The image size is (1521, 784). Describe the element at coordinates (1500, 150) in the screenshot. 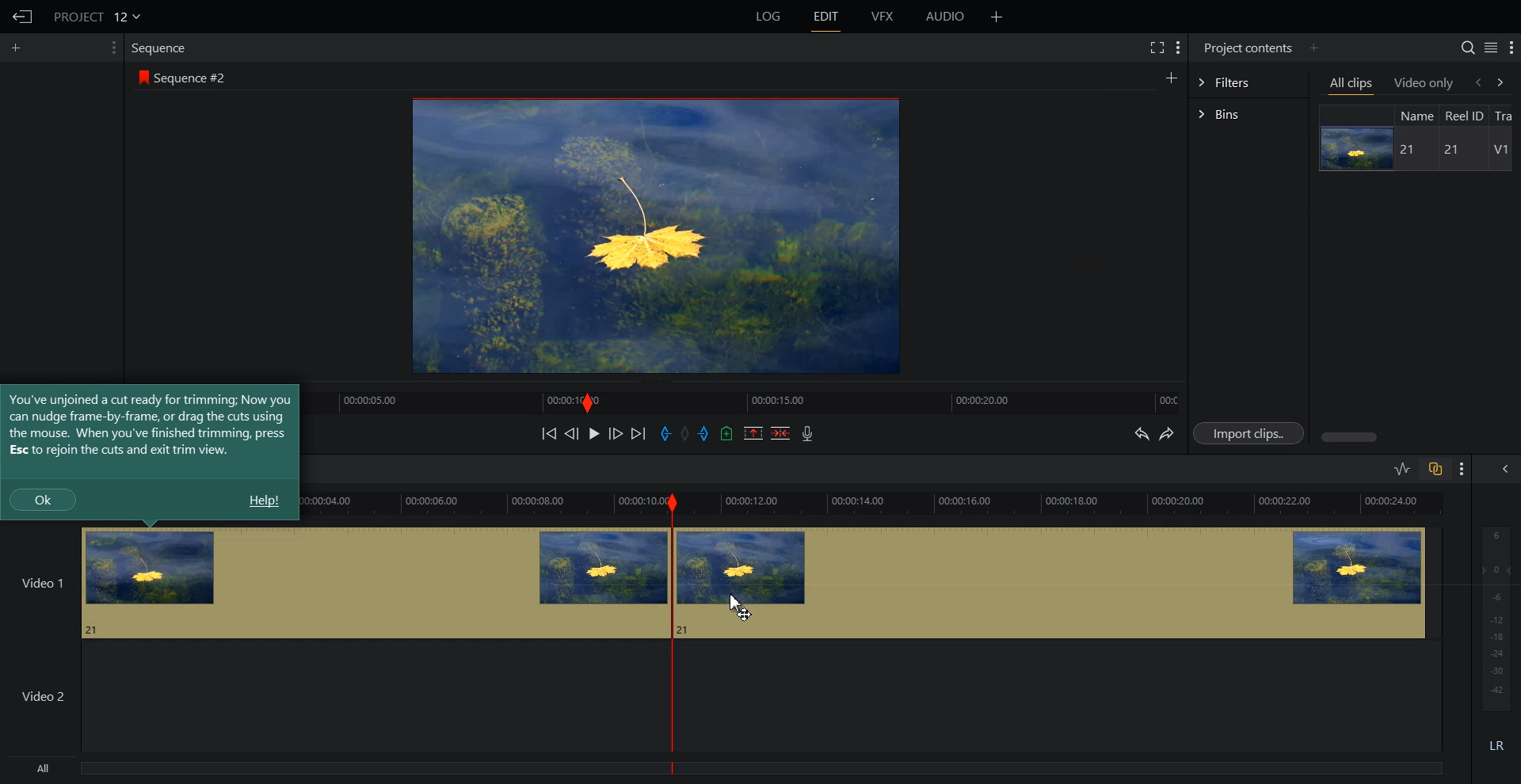

I see `V1` at that location.